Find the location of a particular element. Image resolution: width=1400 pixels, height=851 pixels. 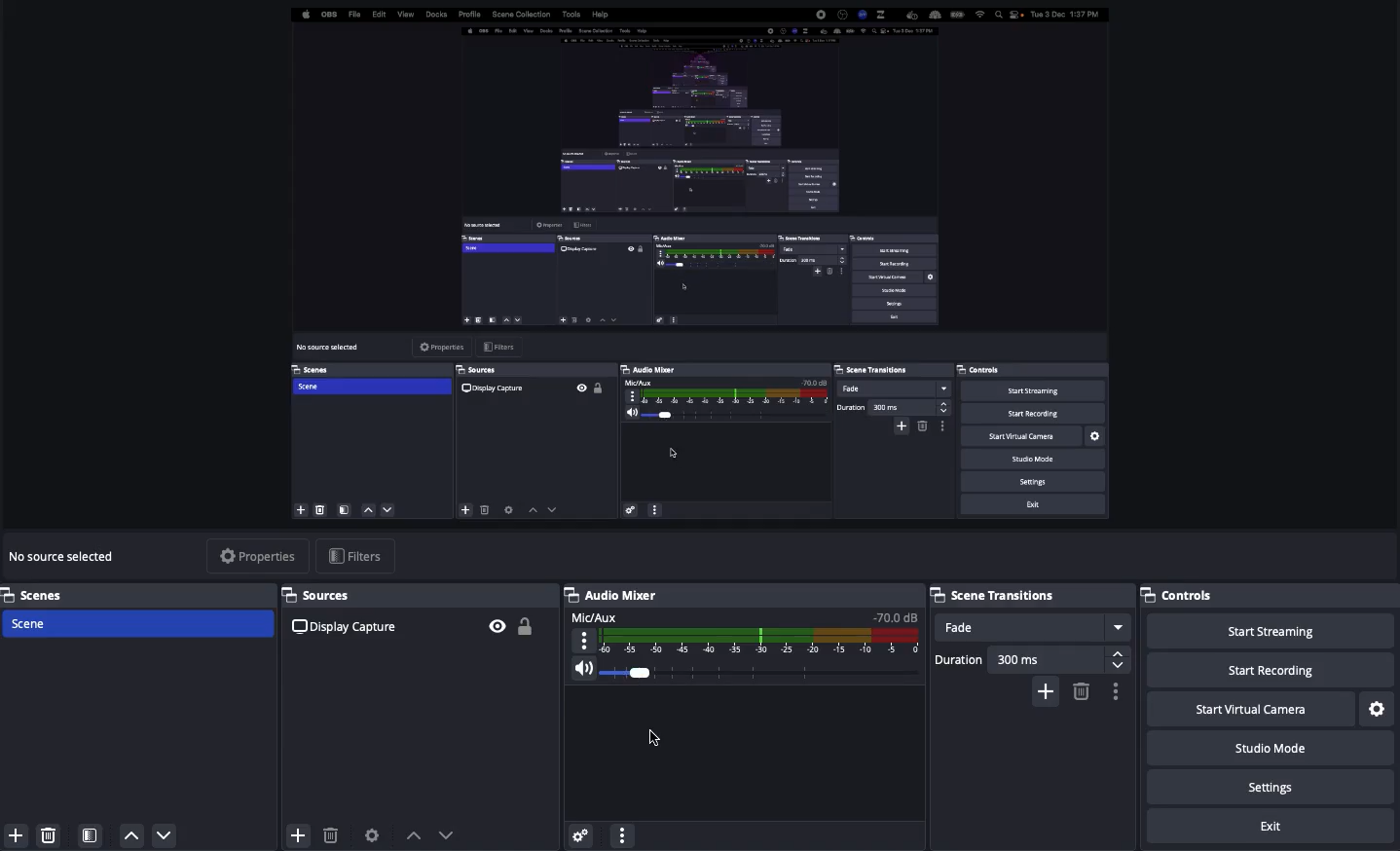

Move down is located at coordinates (447, 834).